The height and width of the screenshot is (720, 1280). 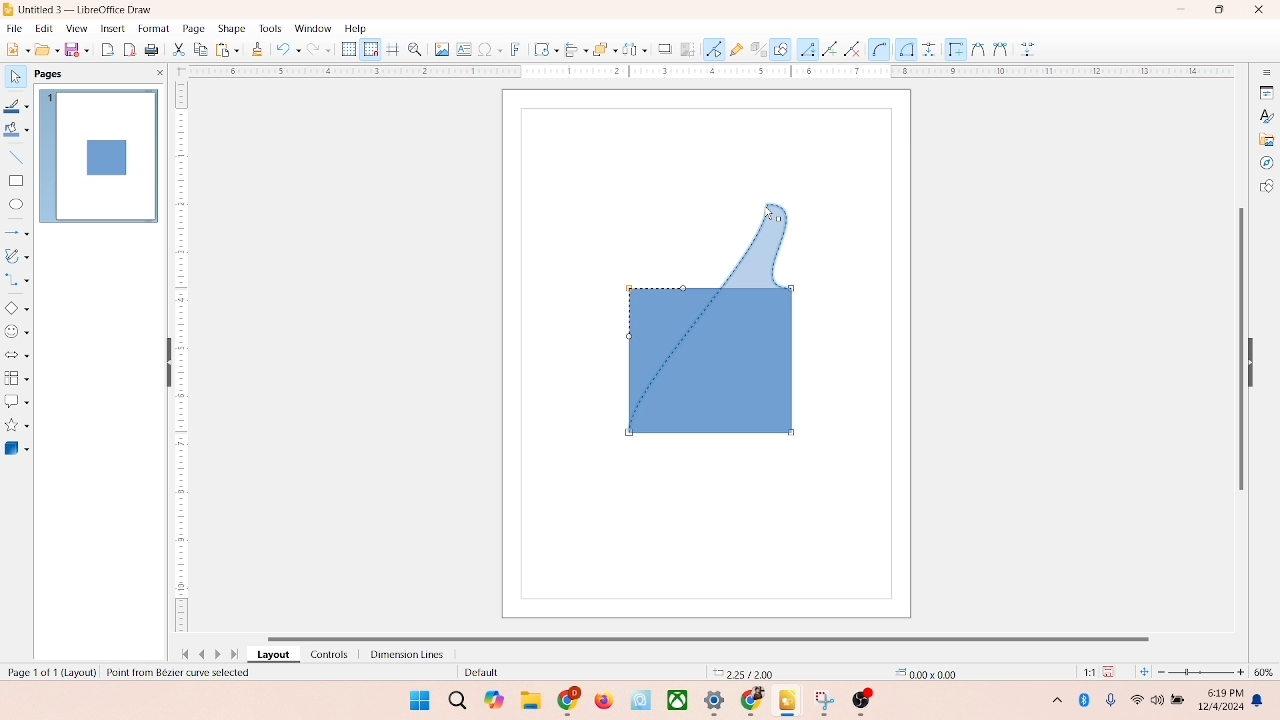 I want to click on gallery, so click(x=1267, y=138).